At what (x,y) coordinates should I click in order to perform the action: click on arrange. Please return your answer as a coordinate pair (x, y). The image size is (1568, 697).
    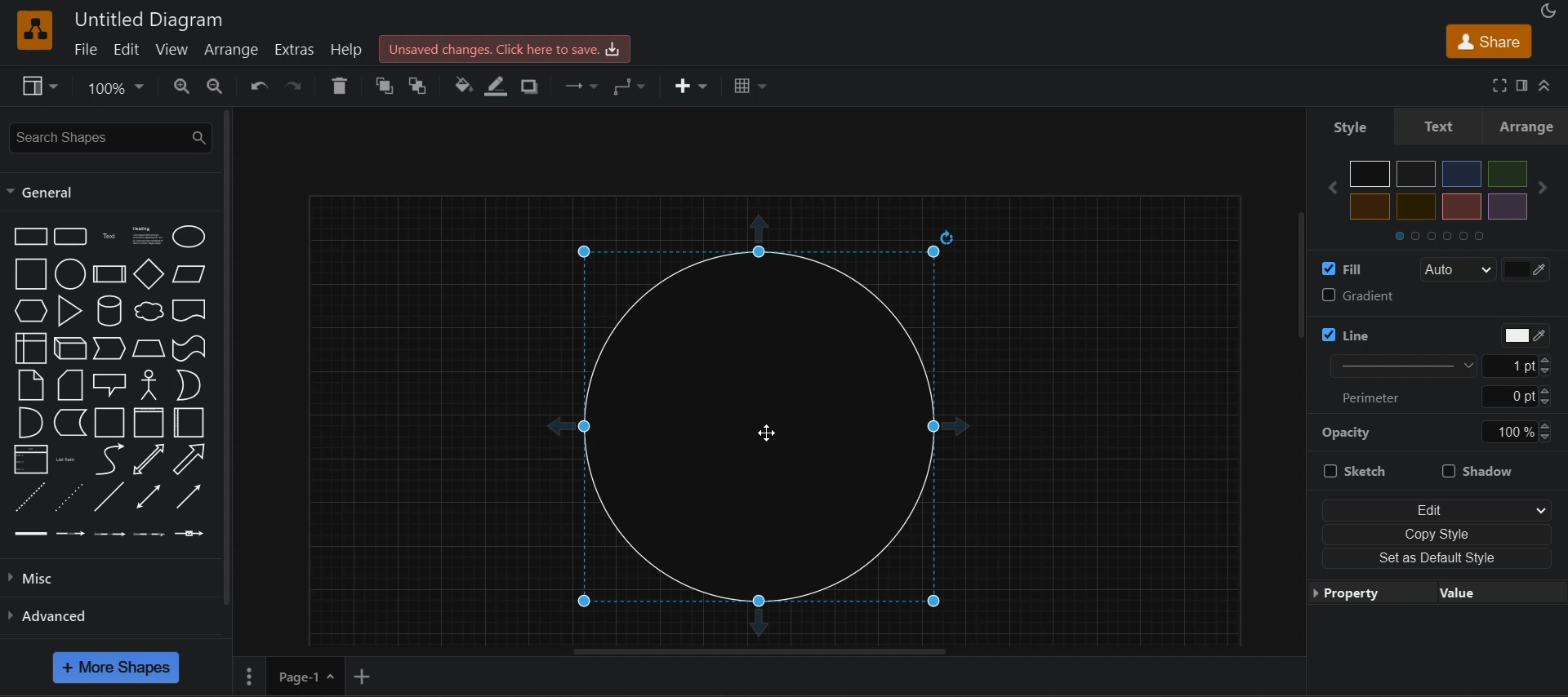
    Looking at the image, I should click on (231, 50).